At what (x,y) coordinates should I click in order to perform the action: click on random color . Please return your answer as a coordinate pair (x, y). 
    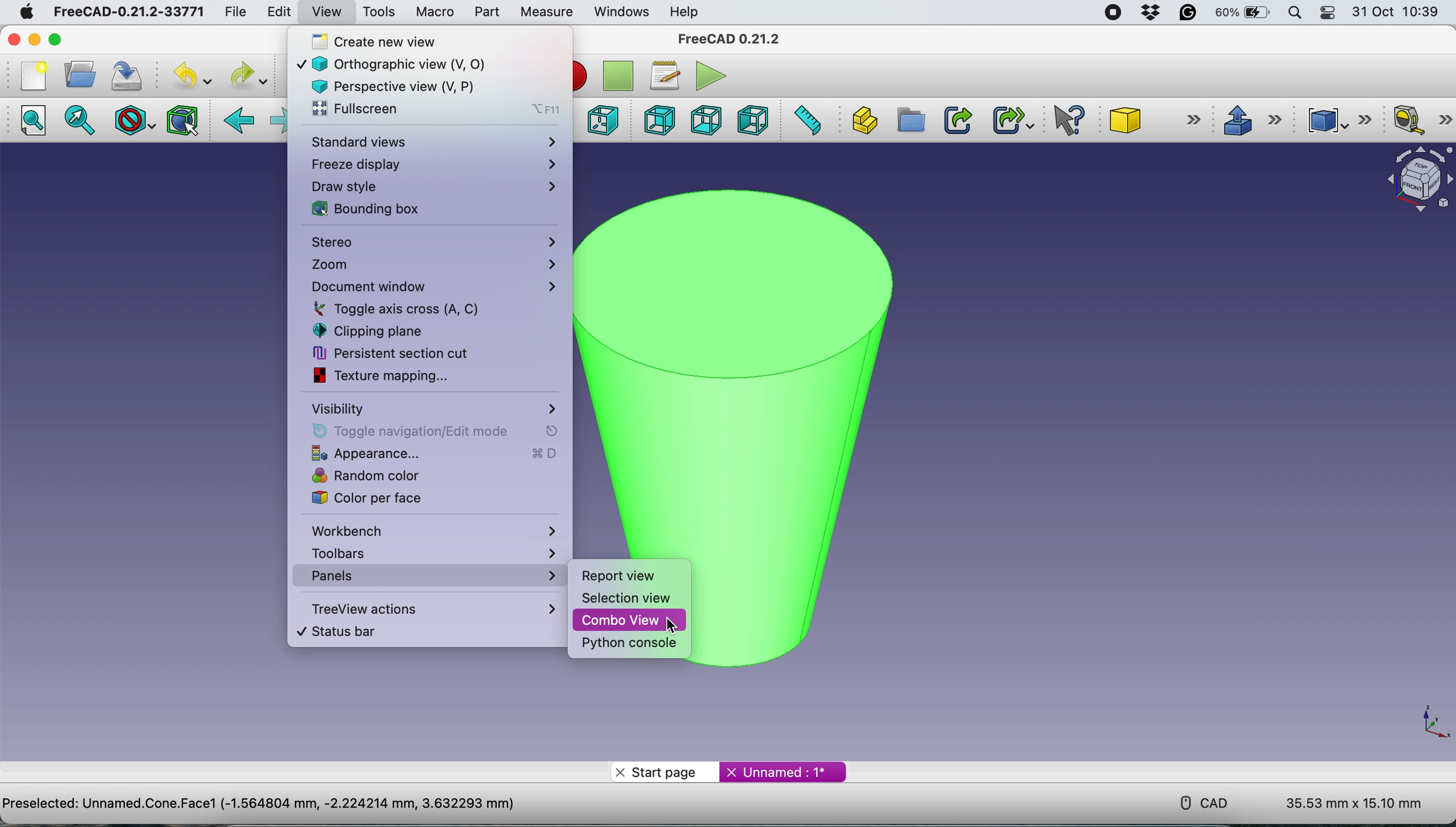
    Looking at the image, I should click on (421, 477).